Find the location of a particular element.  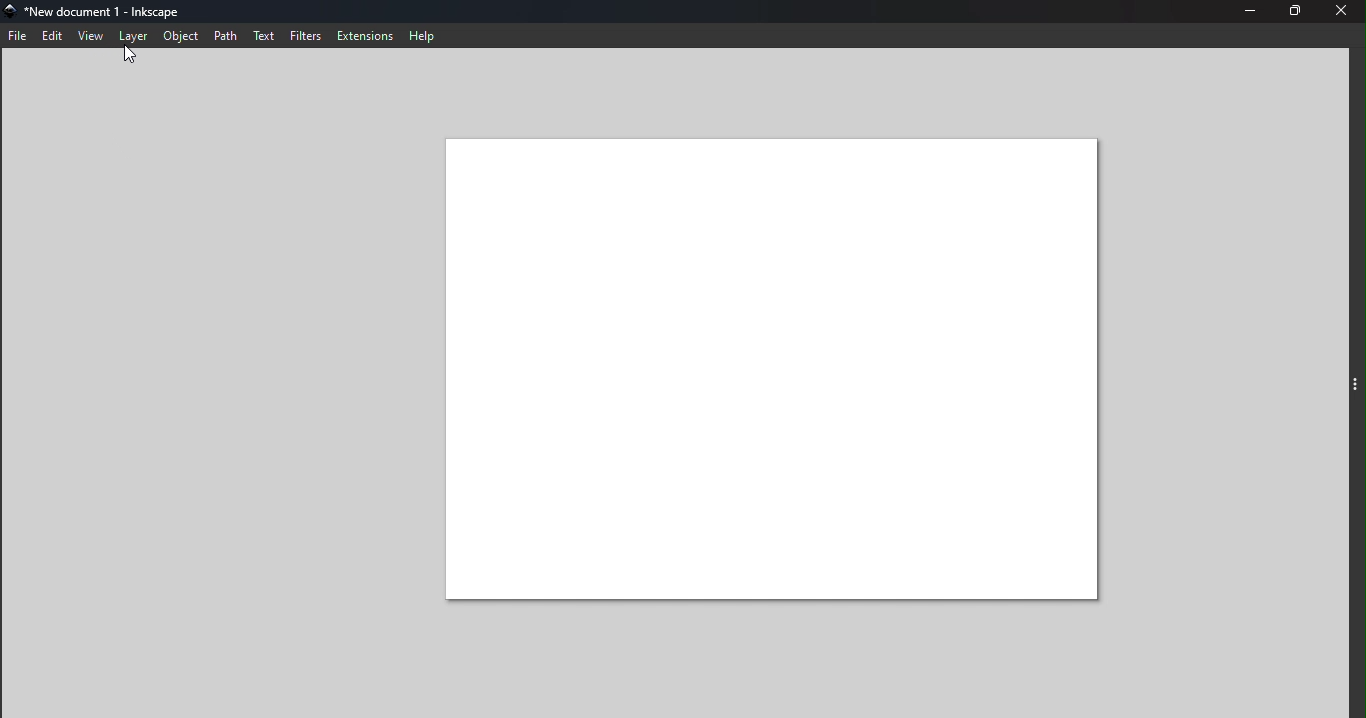

Canvas is located at coordinates (768, 371).